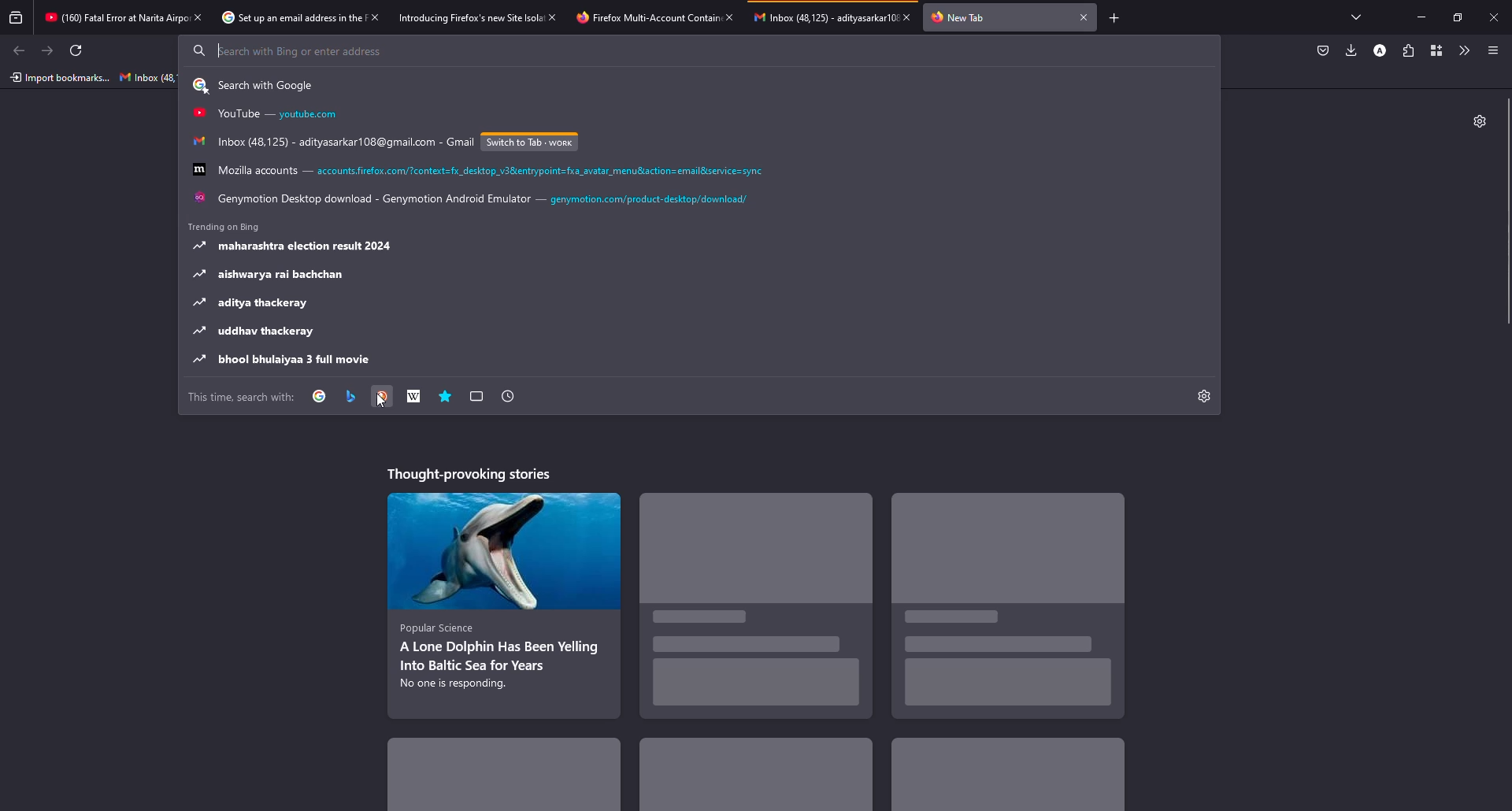 This screenshot has height=811, width=1512. I want to click on import, so click(58, 79).